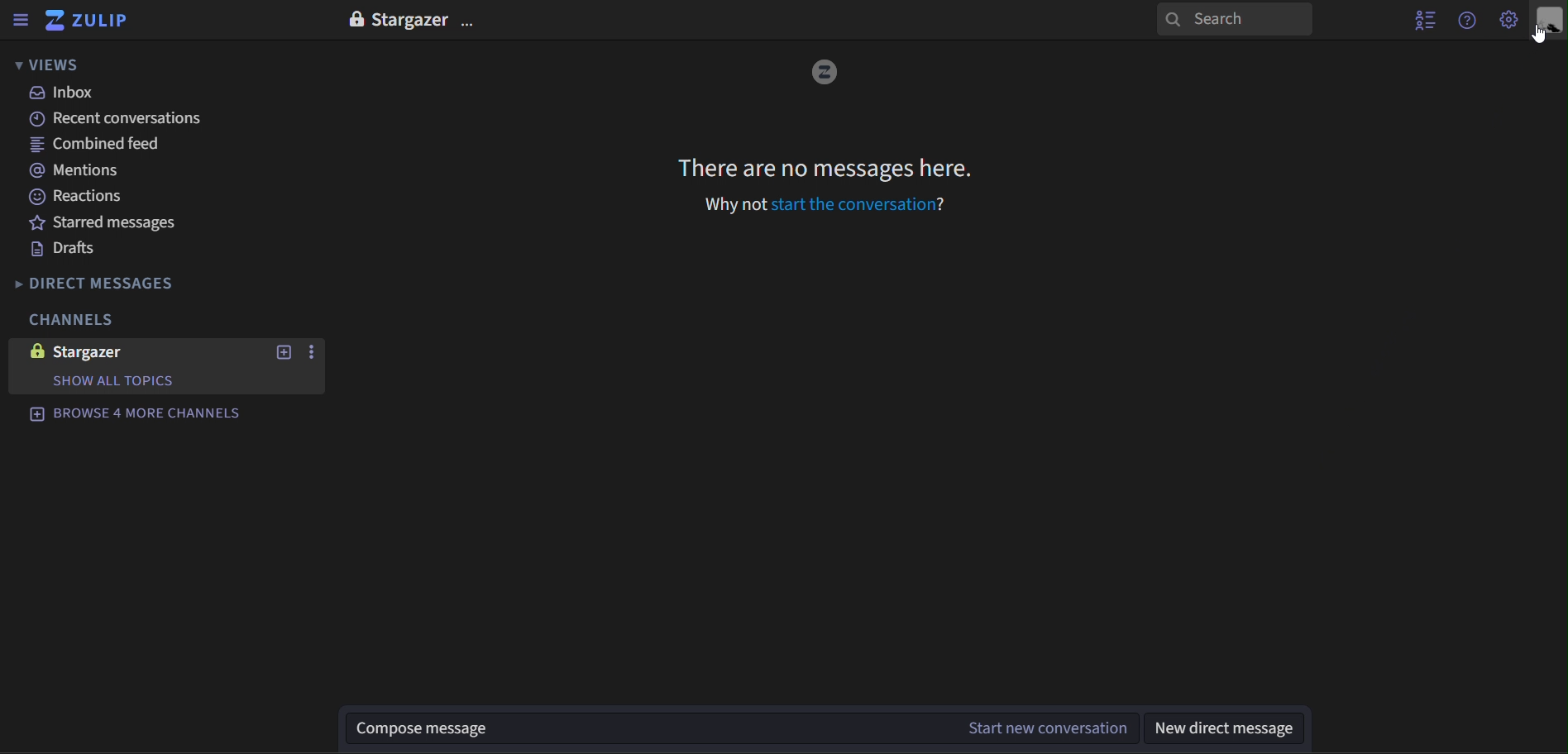 The image size is (1568, 754). Describe the element at coordinates (320, 347) in the screenshot. I see `more` at that location.